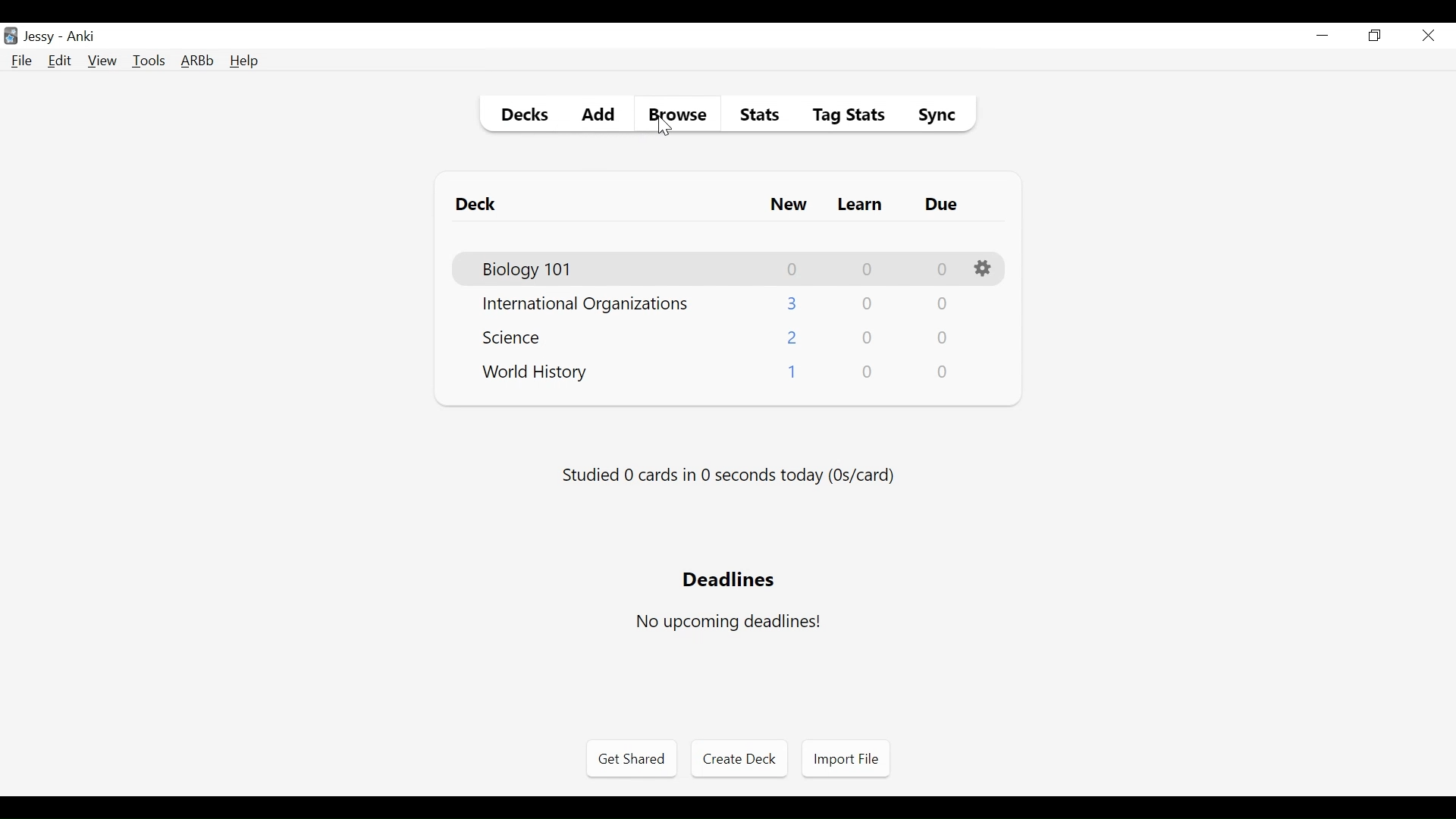 The width and height of the screenshot is (1456, 819). I want to click on New Card Count, so click(793, 339).